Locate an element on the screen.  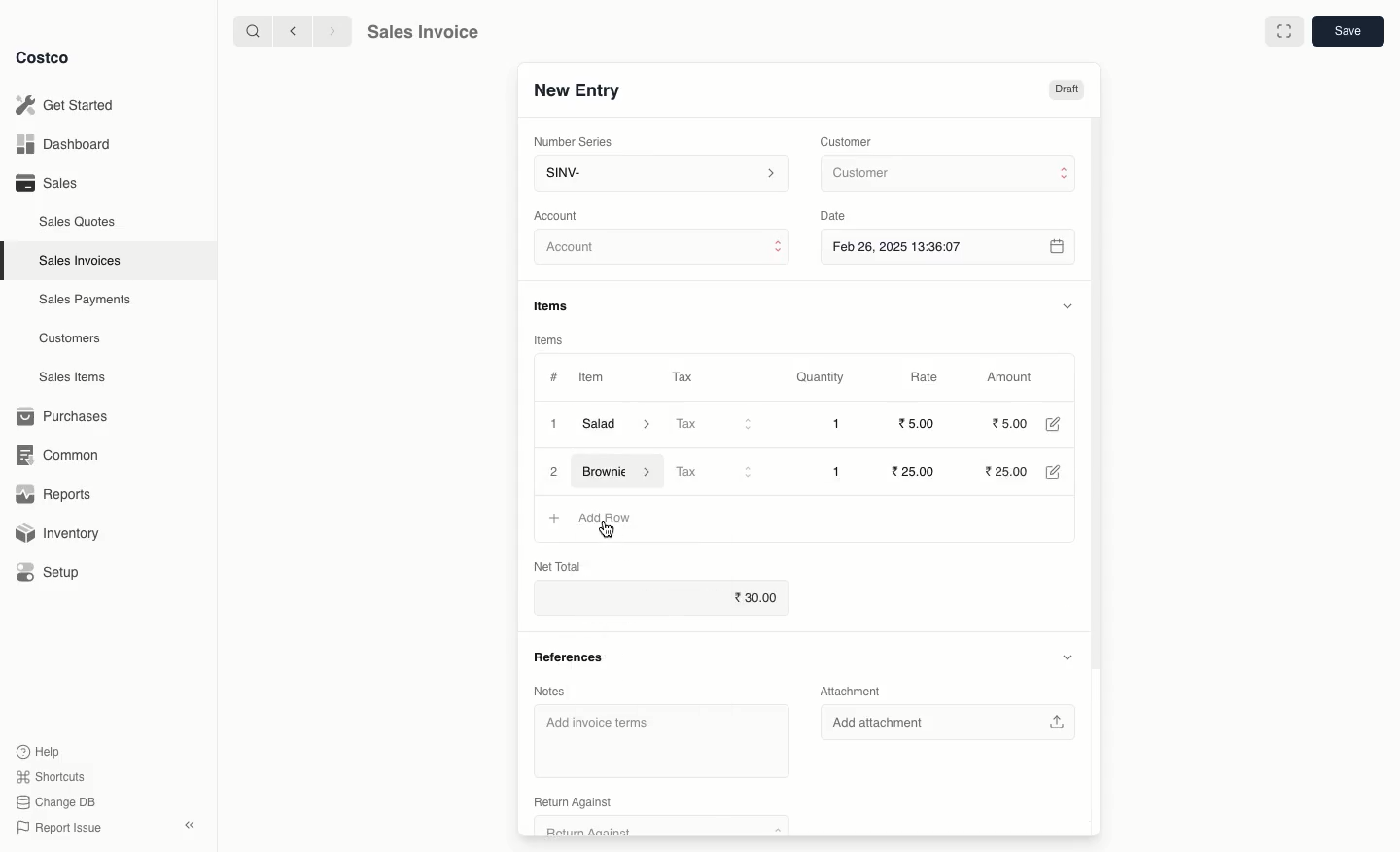
1 is located at coordinates (552, 423).